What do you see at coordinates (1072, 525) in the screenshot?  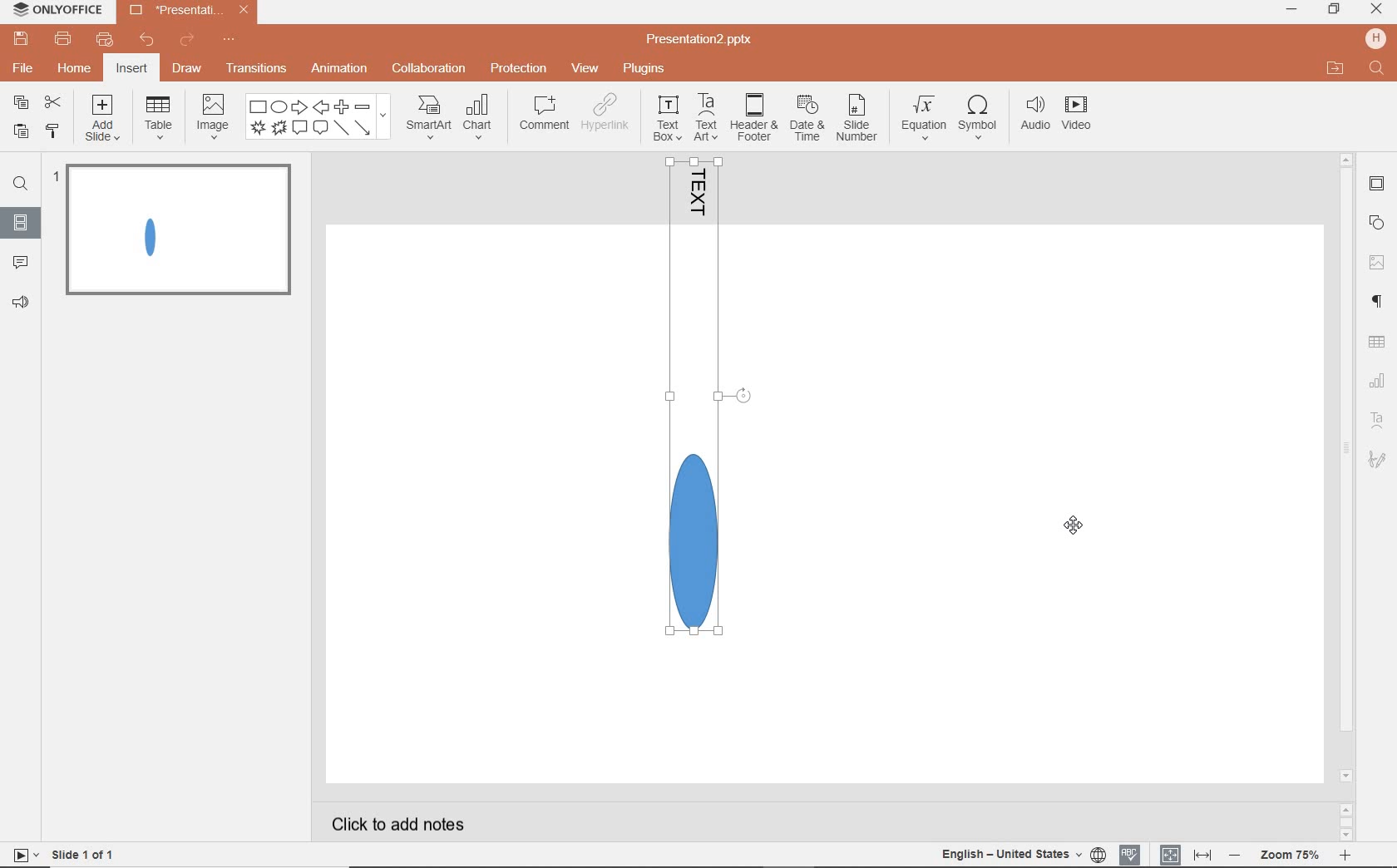 I see `cursor` at bounding box center [1072, 525].